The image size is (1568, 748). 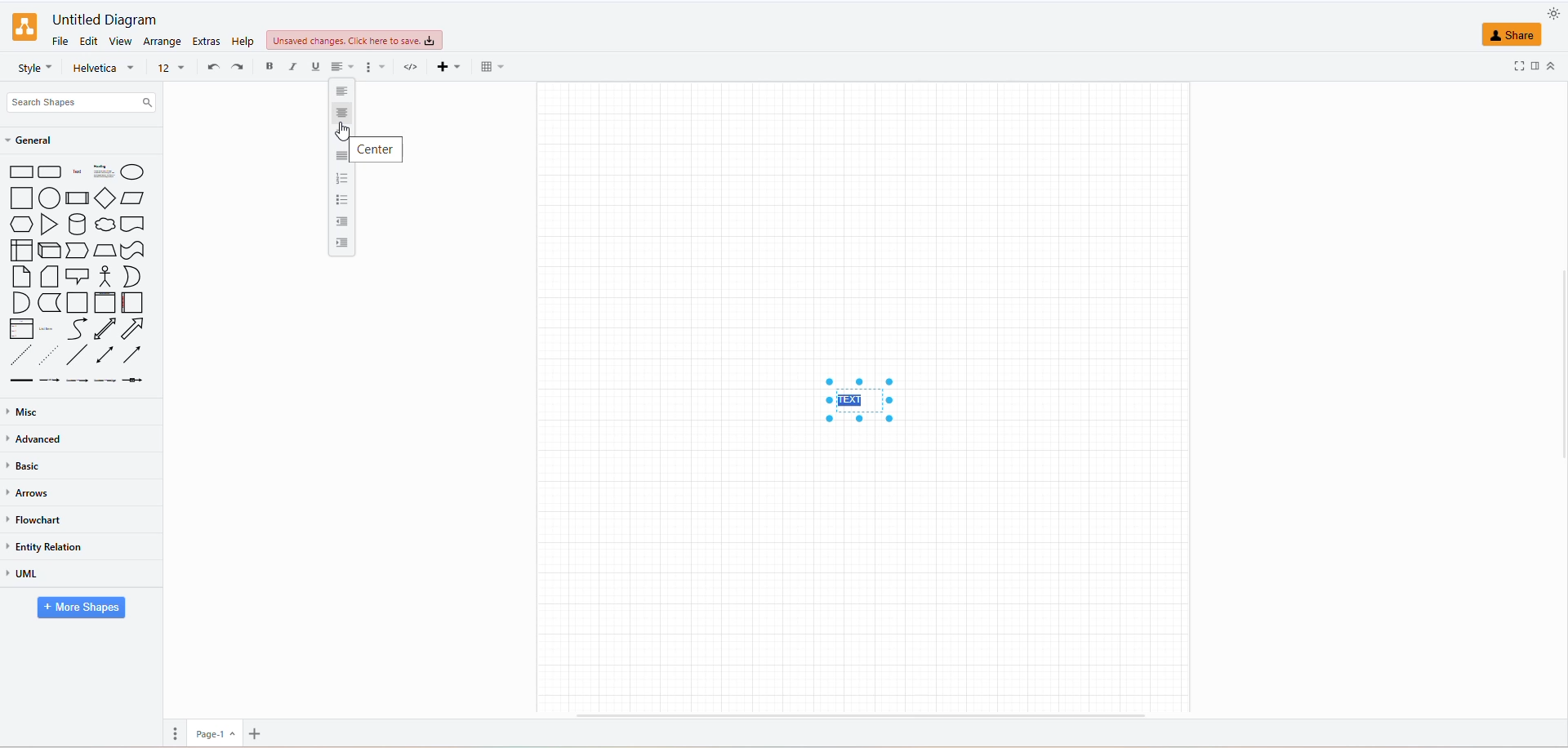 What do you see at coordinates (168, 66) in the screenshot?
I see `font size` at bounding box center [168, 66].